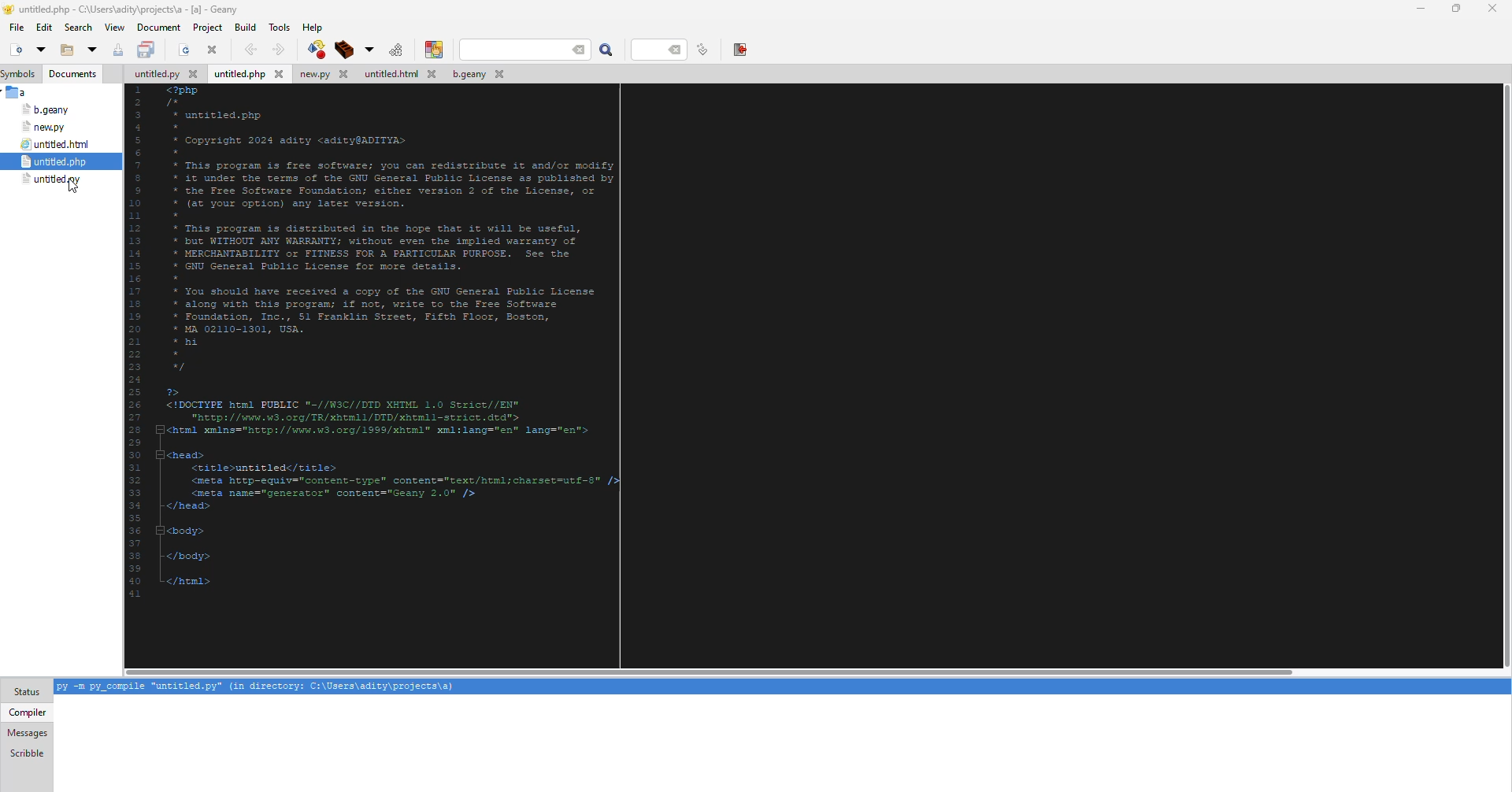  I want to click on close, so click(214, 50).